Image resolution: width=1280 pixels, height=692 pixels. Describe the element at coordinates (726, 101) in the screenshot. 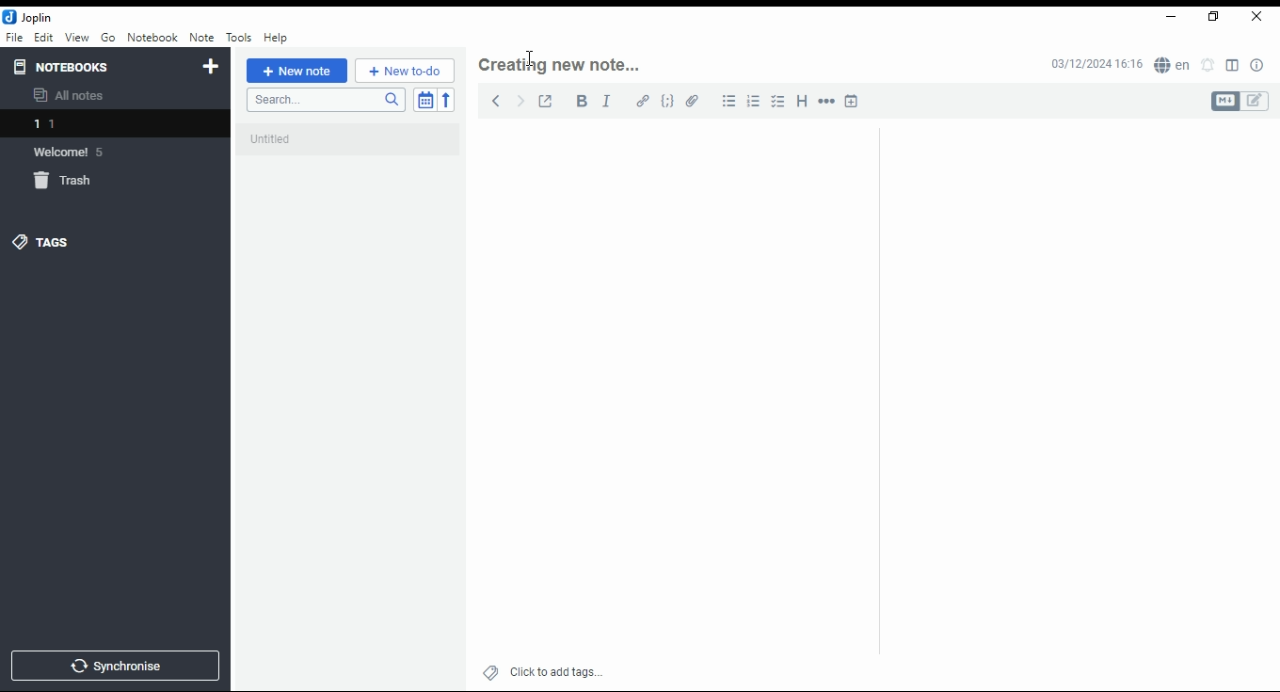

I see `bullets` at that location.